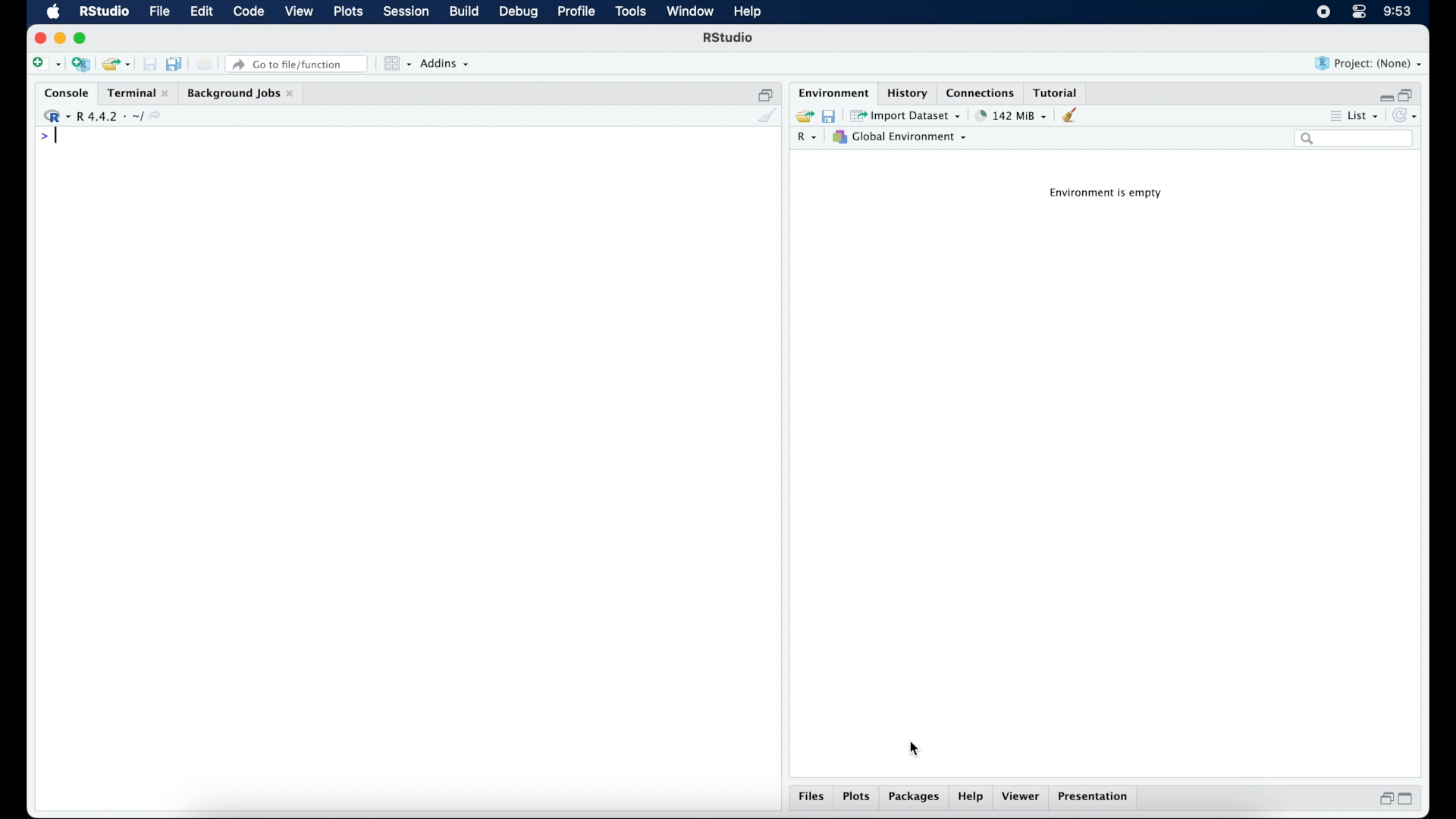 The width and height of the screenshot is (1456, 819). Describe the element at coordinates (915, 750) in the screenshot. I see `cursor` at that location.